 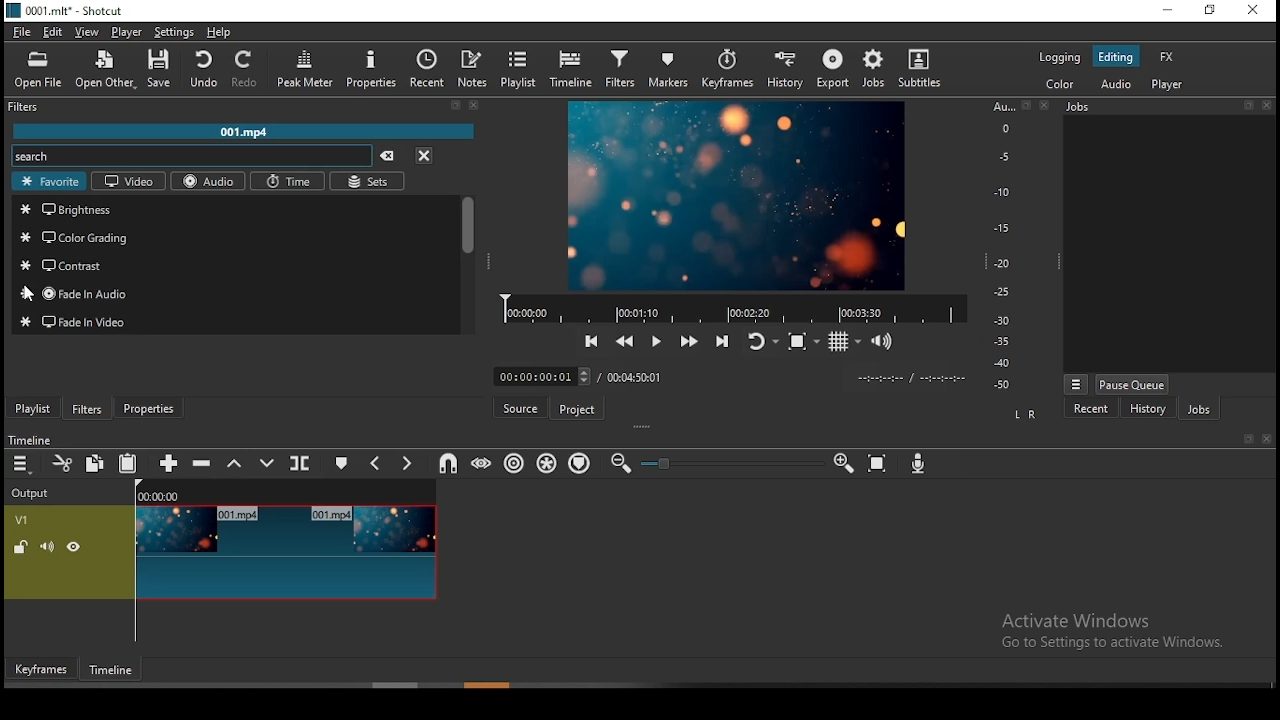 I want to click on time, so click(x=288, y=181).